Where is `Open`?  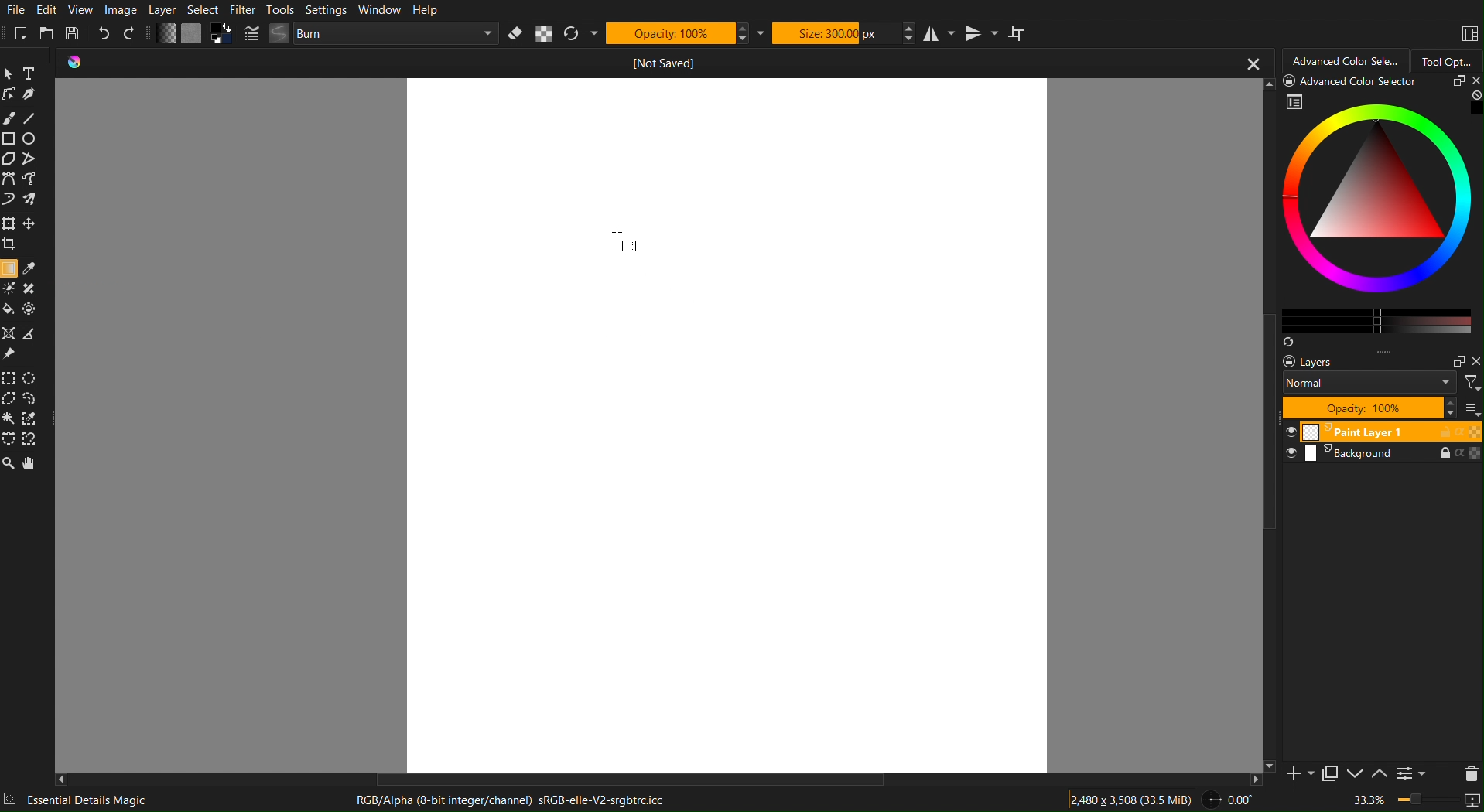
Open is located at coordinates (48, 34).